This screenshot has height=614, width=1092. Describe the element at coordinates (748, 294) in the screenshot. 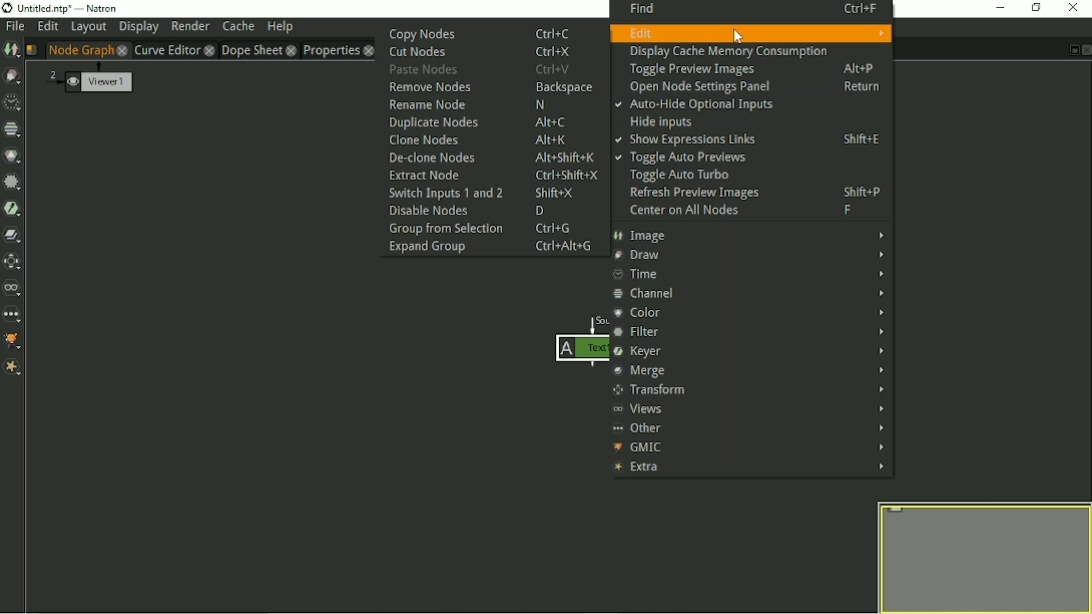

I see `Channel` at that location.